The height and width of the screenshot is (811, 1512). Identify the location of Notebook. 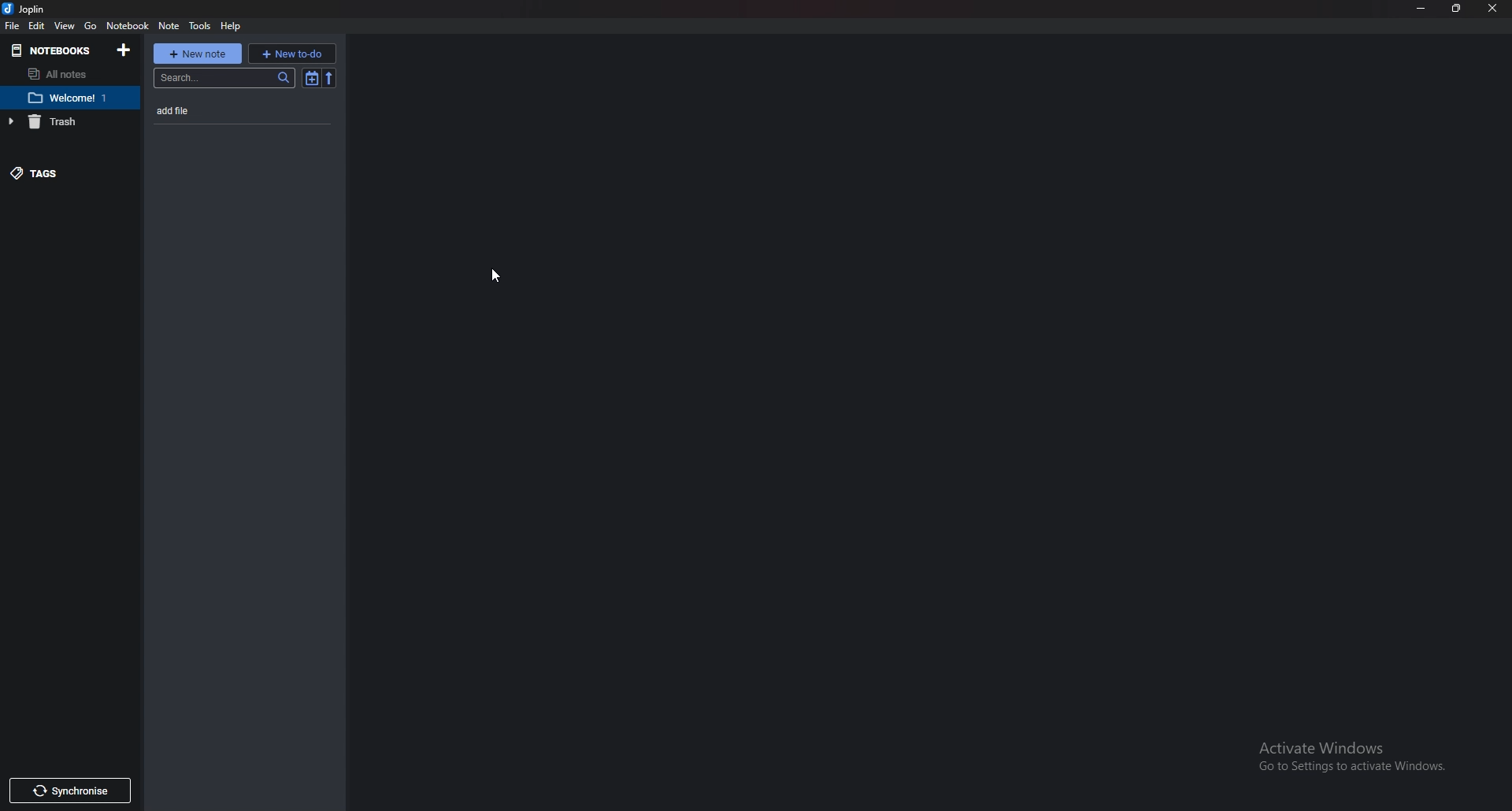
(128, 25).